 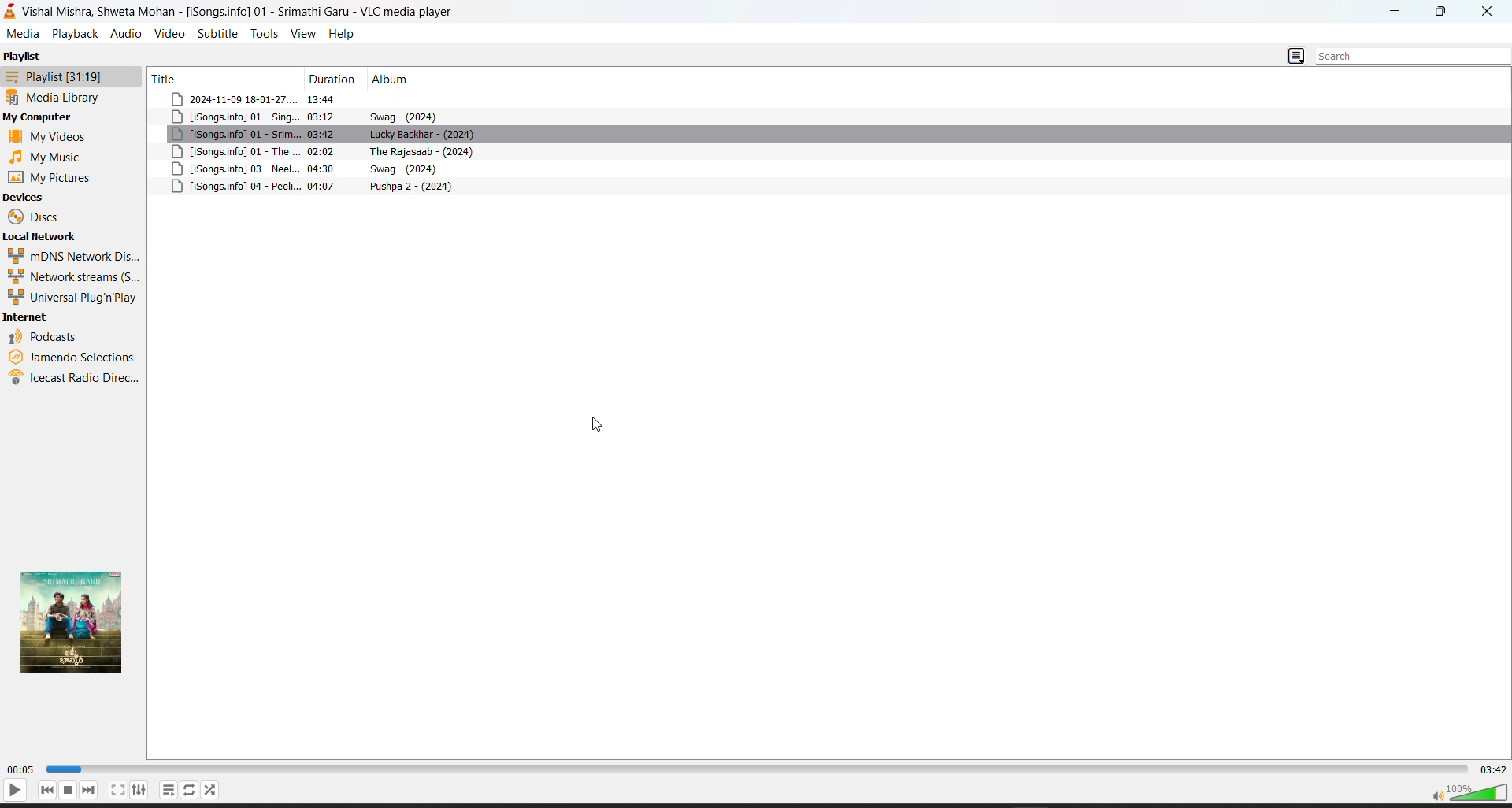 What do you see at coordinates (830, 169) in the screenshot?
I see `song` at bounding box center [830, 169].